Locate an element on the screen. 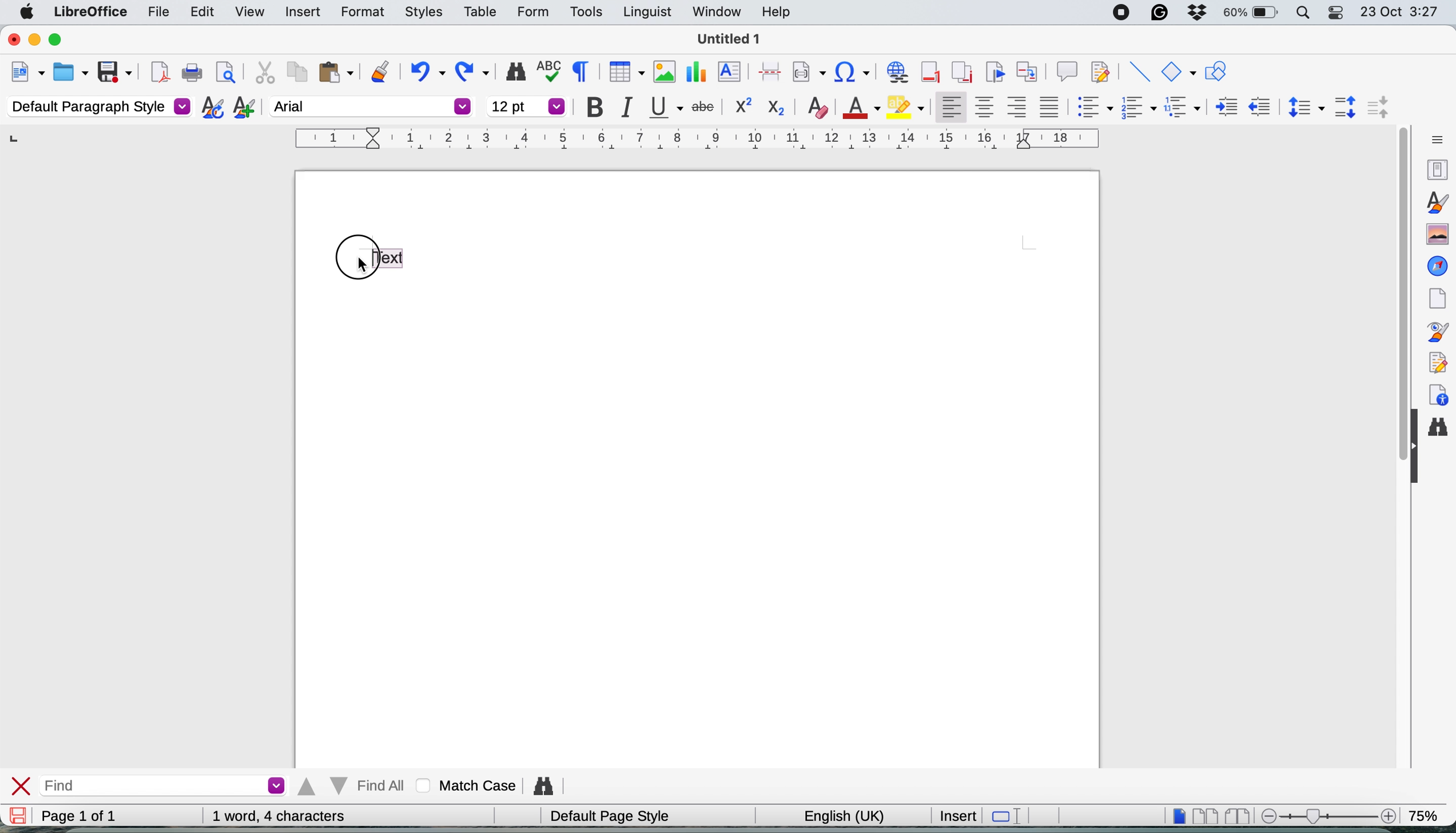 This screenshot has width=1456, height=833. single page view is located at coordinates (1173, 815).